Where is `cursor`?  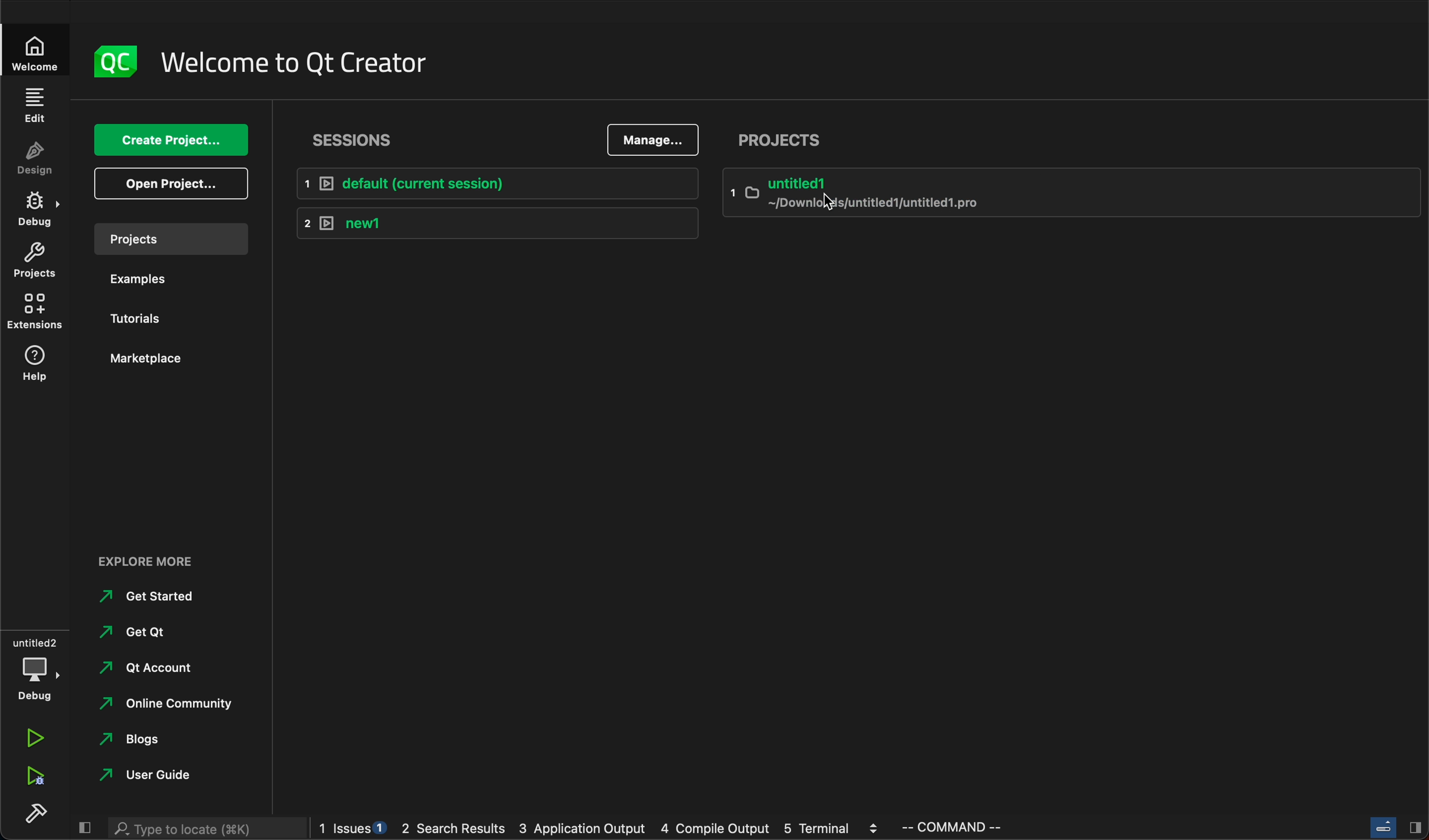 cursor is located at coordinates (834, 198).